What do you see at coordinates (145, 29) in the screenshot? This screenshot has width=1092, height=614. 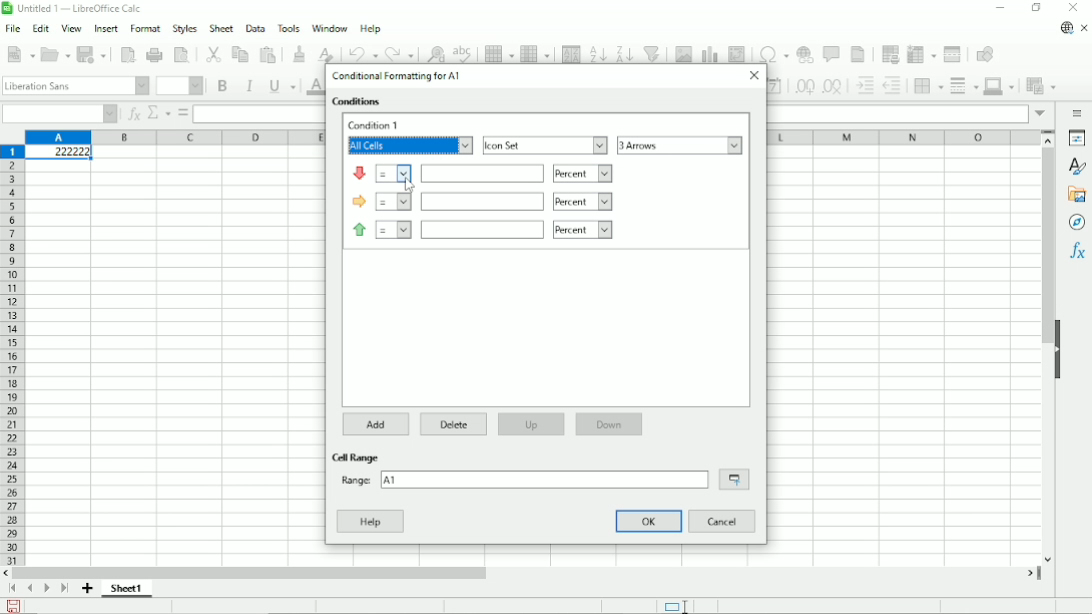 I see `Format` at bounding box center [145, 29].